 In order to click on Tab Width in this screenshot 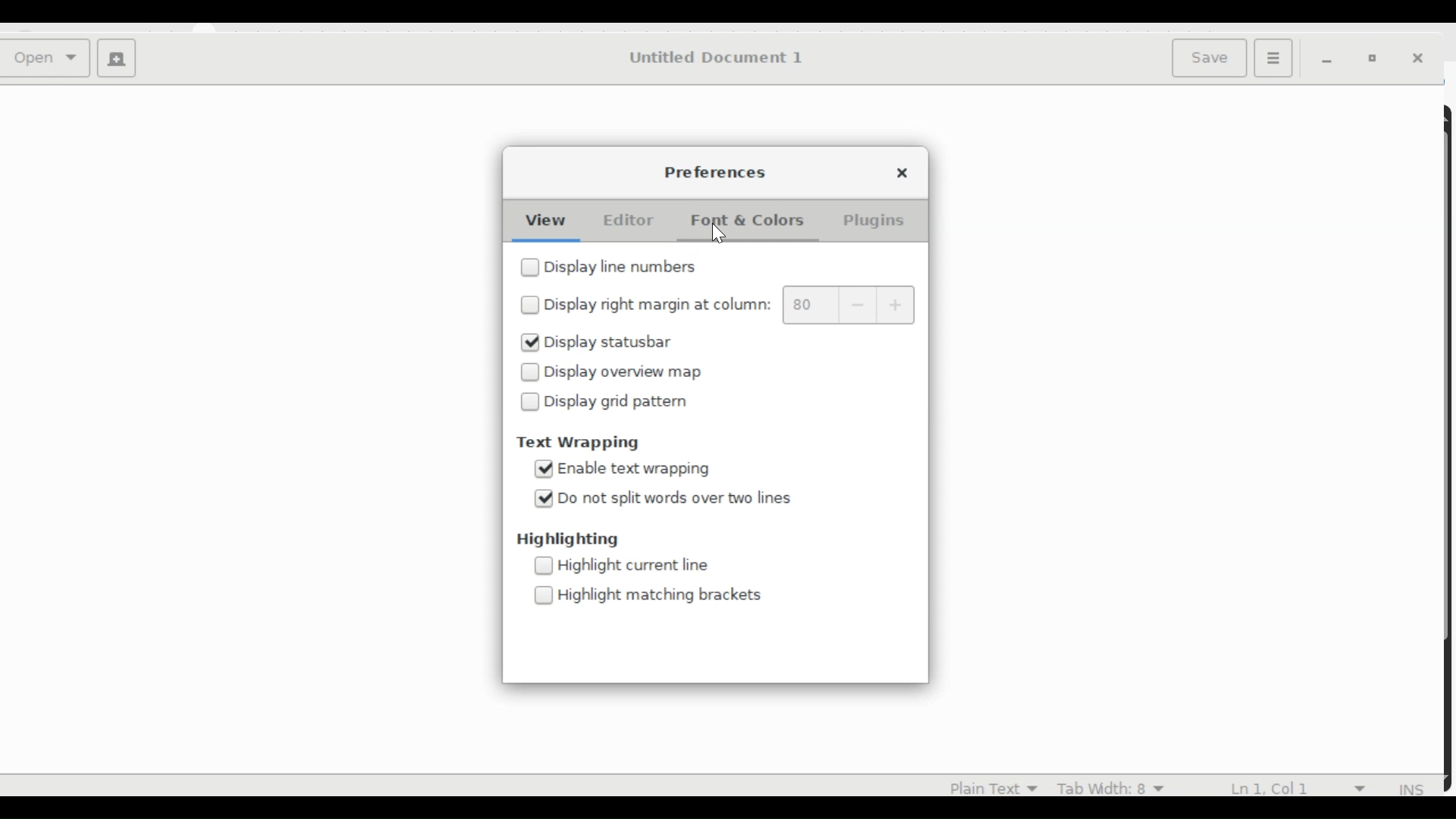, I will do `click(1109, 786)`.